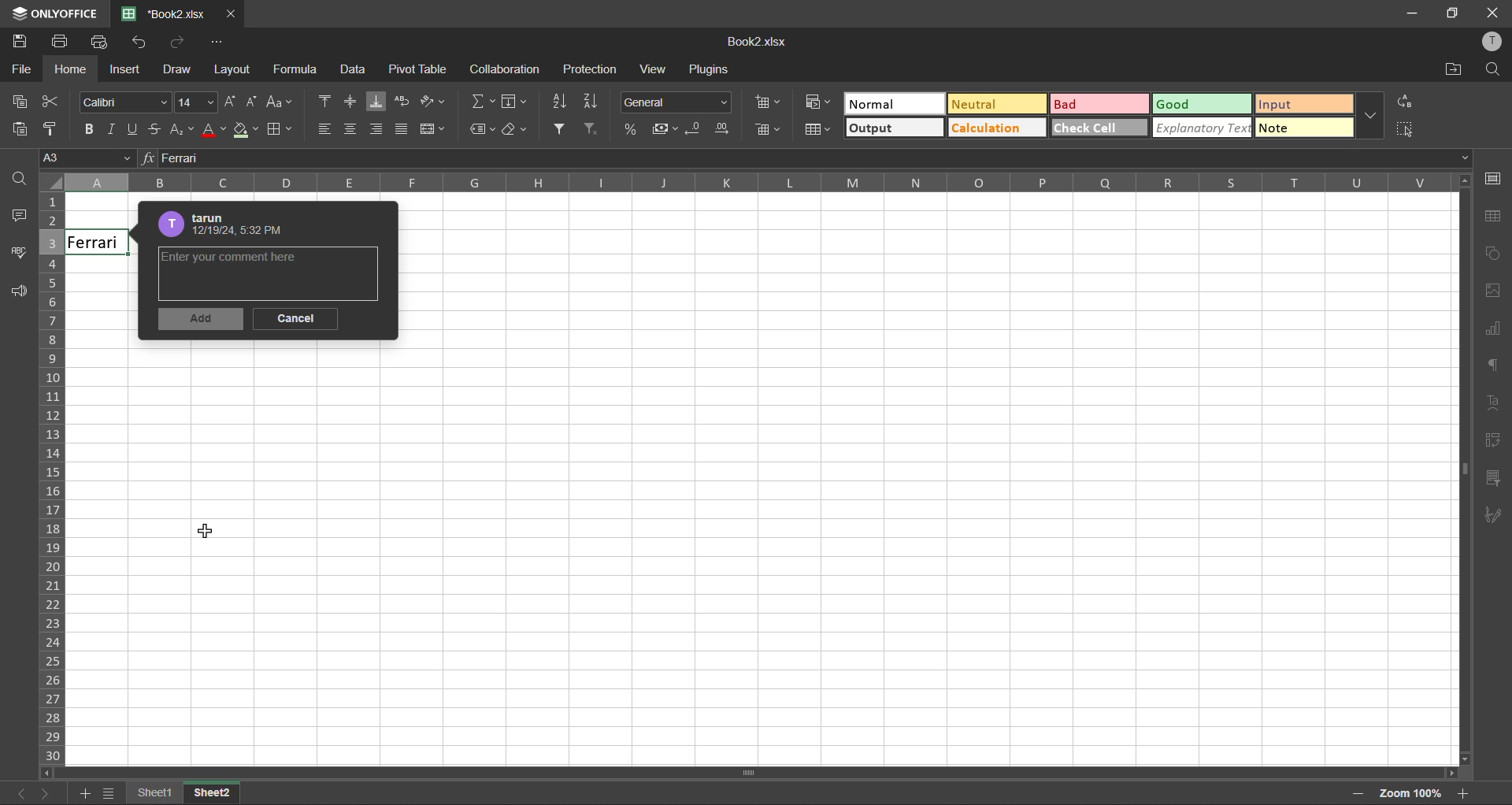  What do you see at coordinates (1497, 367) in the screenshot?
I see `paragraph` at bounding box center [1497, 367].